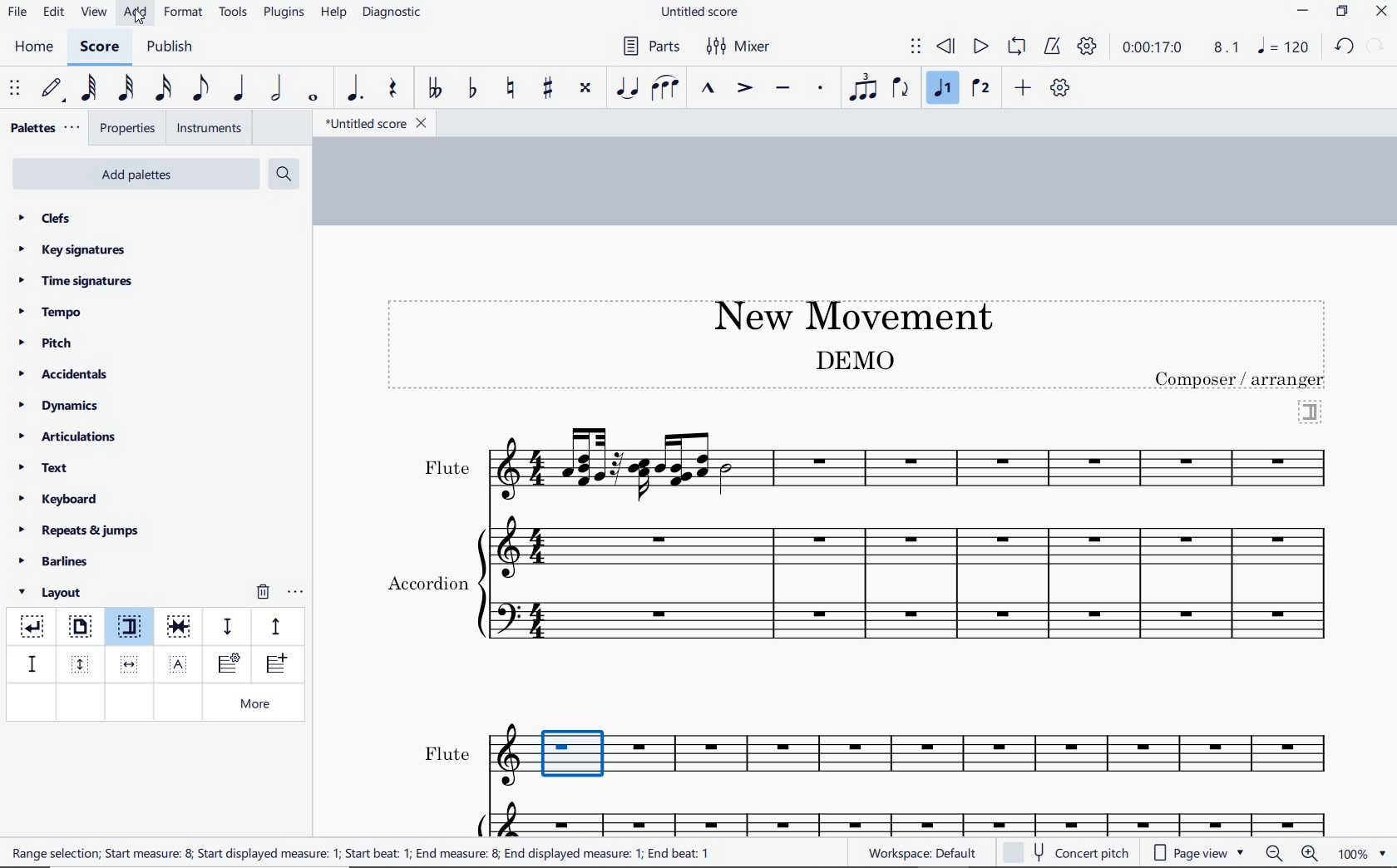  Describe the element at coordinates (374, 124) in the screenshot. I see `file name` at that location.